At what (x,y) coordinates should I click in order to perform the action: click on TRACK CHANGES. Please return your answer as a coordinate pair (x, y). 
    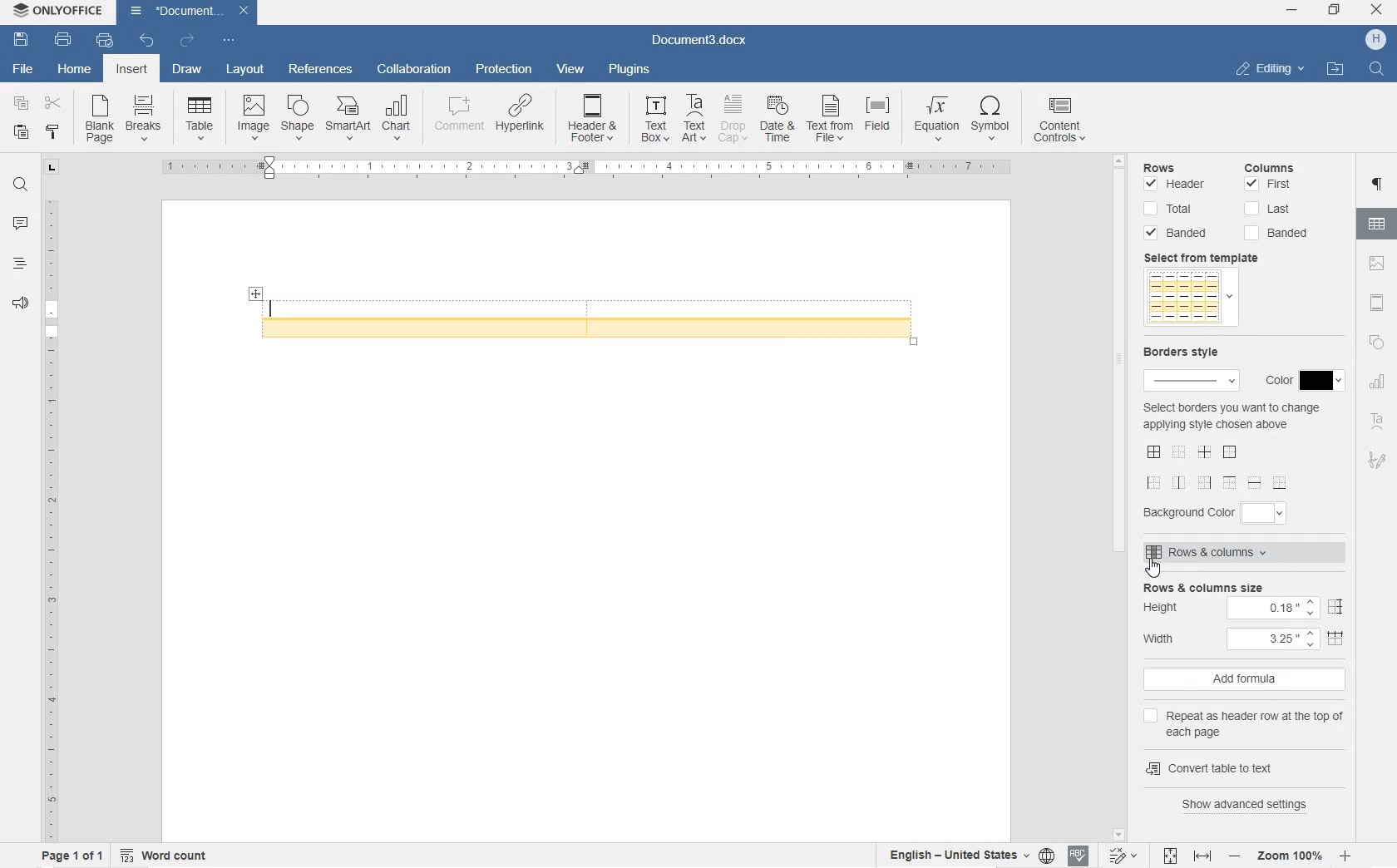
    Looking at the image, I should click on (1122, 855).